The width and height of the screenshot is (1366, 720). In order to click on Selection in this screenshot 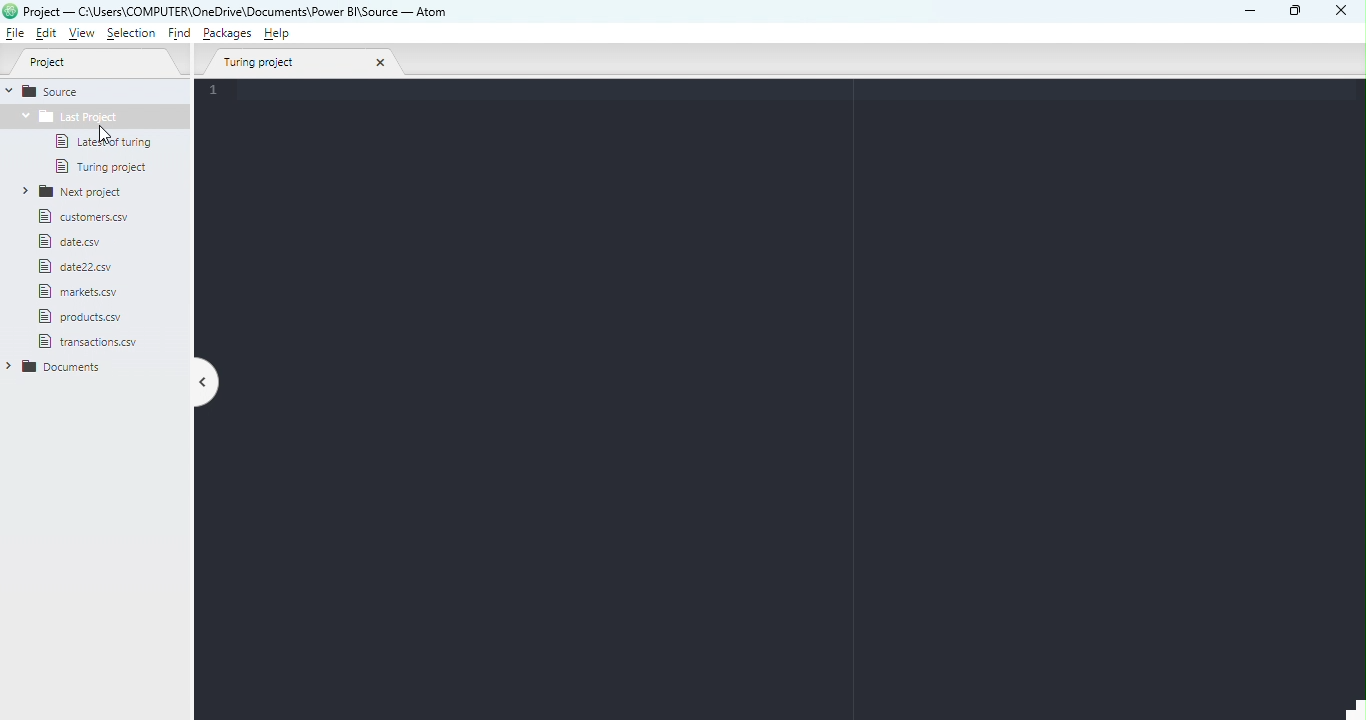, I will do `click(131, 34)`.